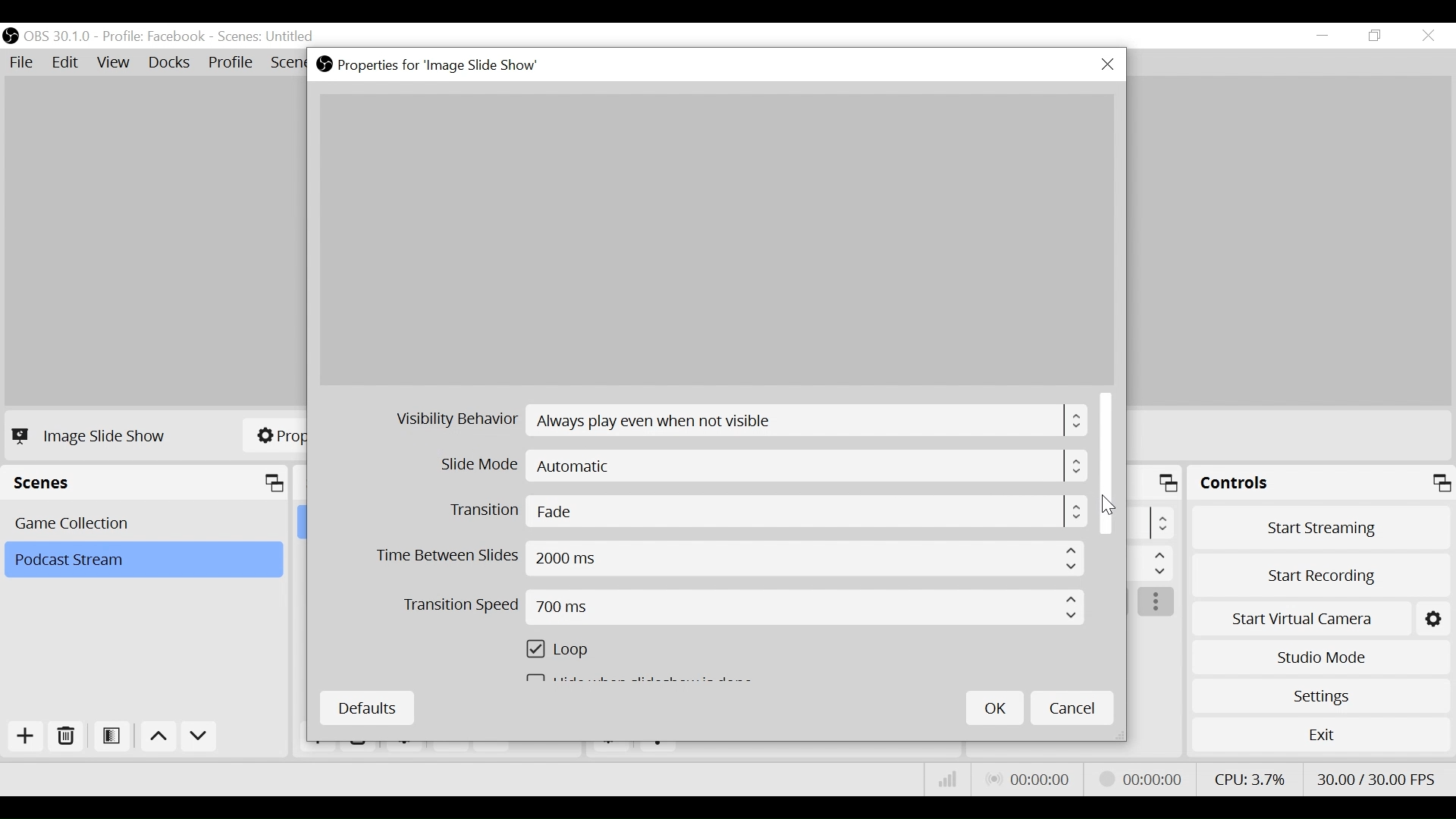 Image resolution: width=1456 pixels, height=819 pixels. I want to click on Bitrate, so click(948, 780).